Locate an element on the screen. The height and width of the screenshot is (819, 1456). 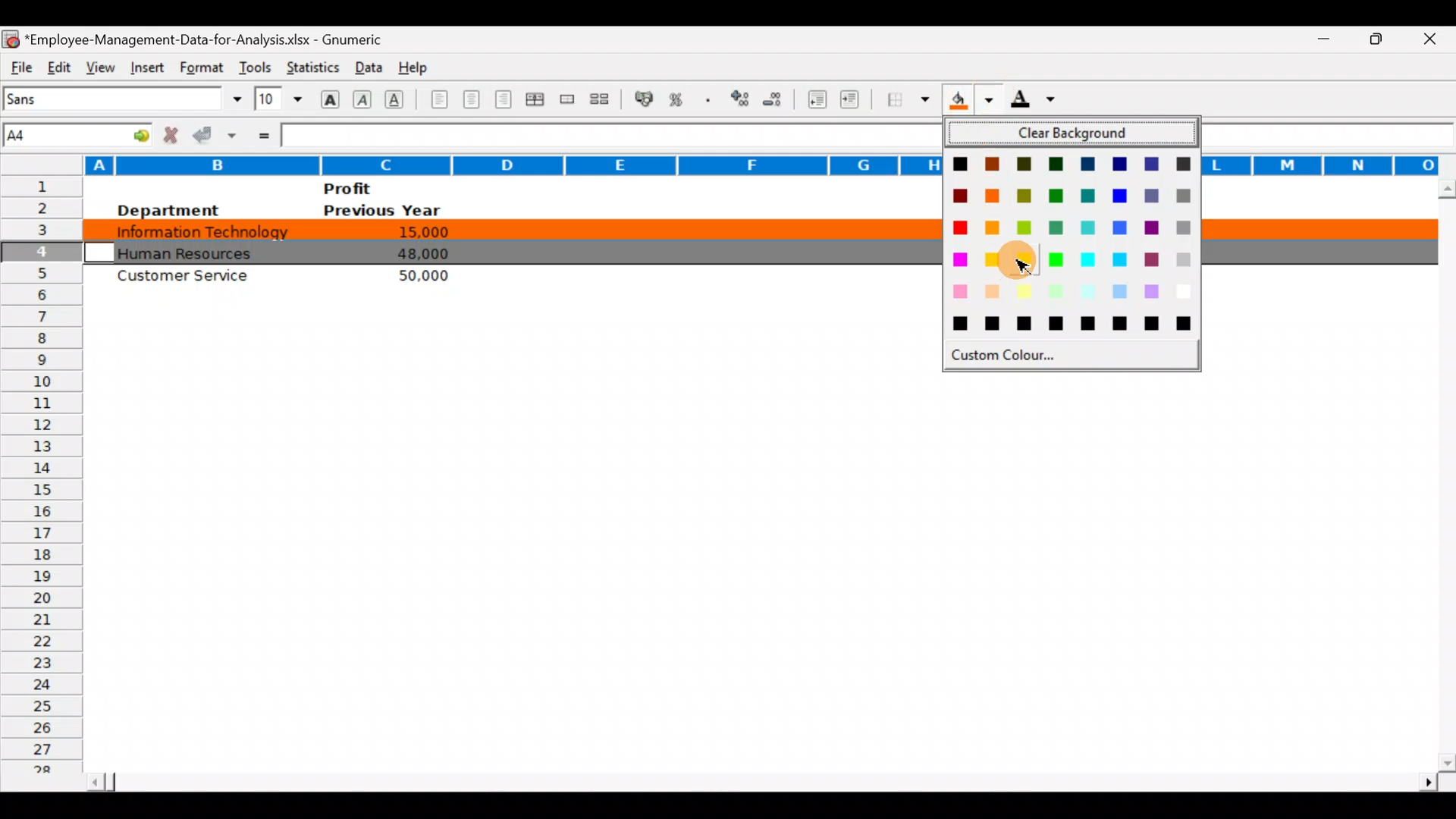
Tools is located at coordinates (255, 64).